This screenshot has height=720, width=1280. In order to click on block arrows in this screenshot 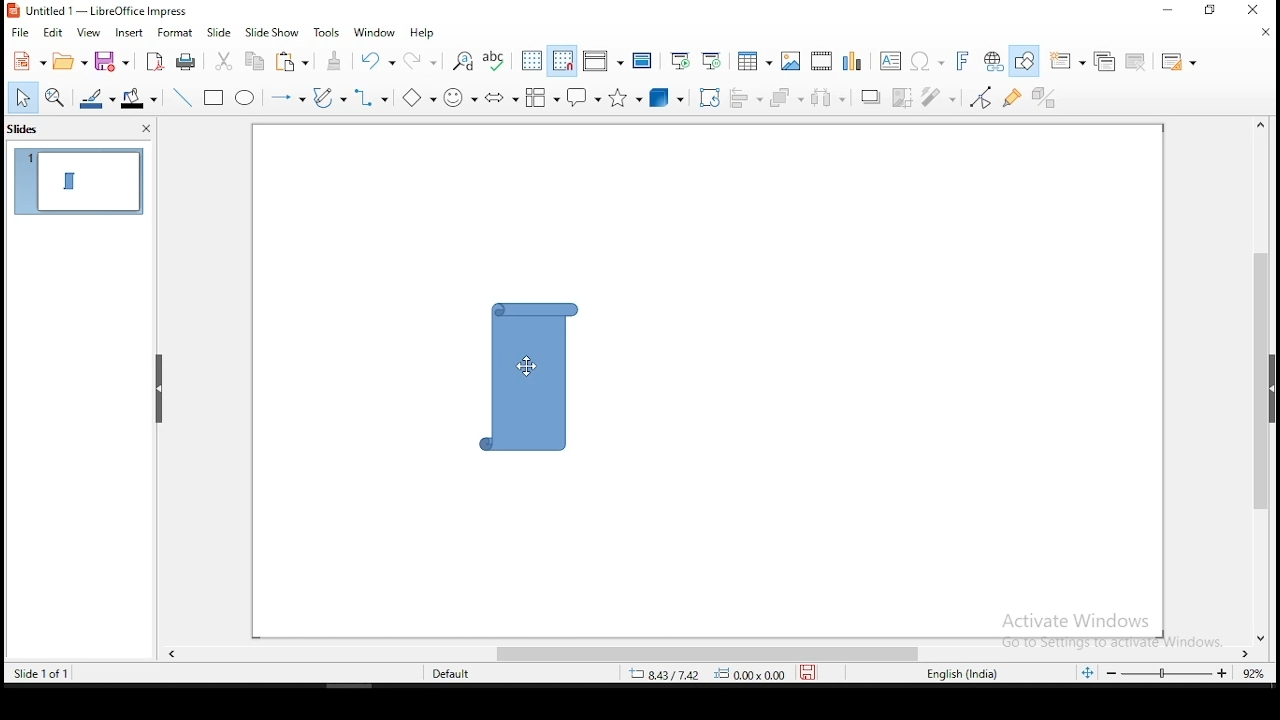, I will do `click(502, 97)`.